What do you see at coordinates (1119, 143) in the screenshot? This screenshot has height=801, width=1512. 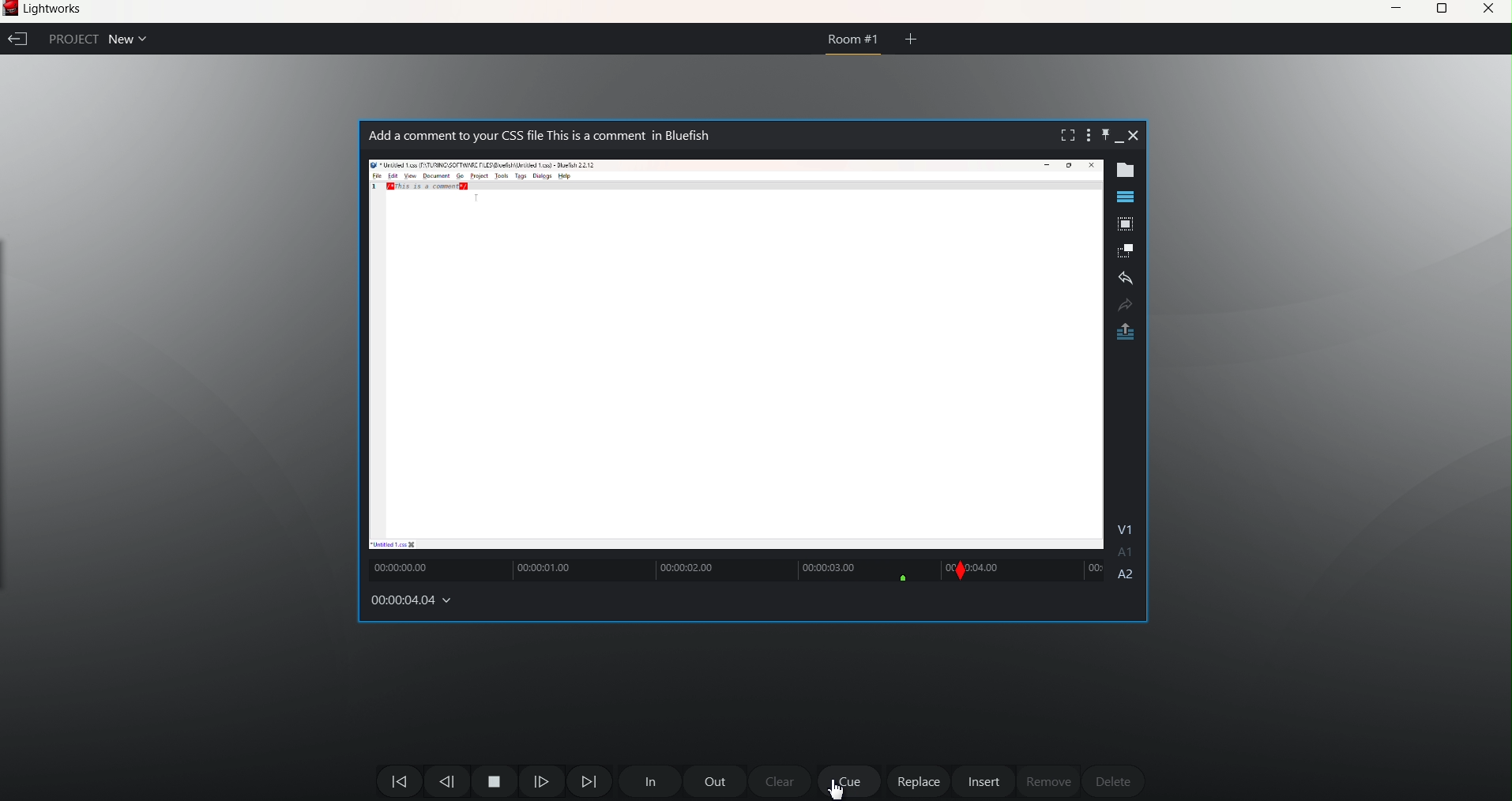 I see `minimize clip` at bounding box center [1119, 143].